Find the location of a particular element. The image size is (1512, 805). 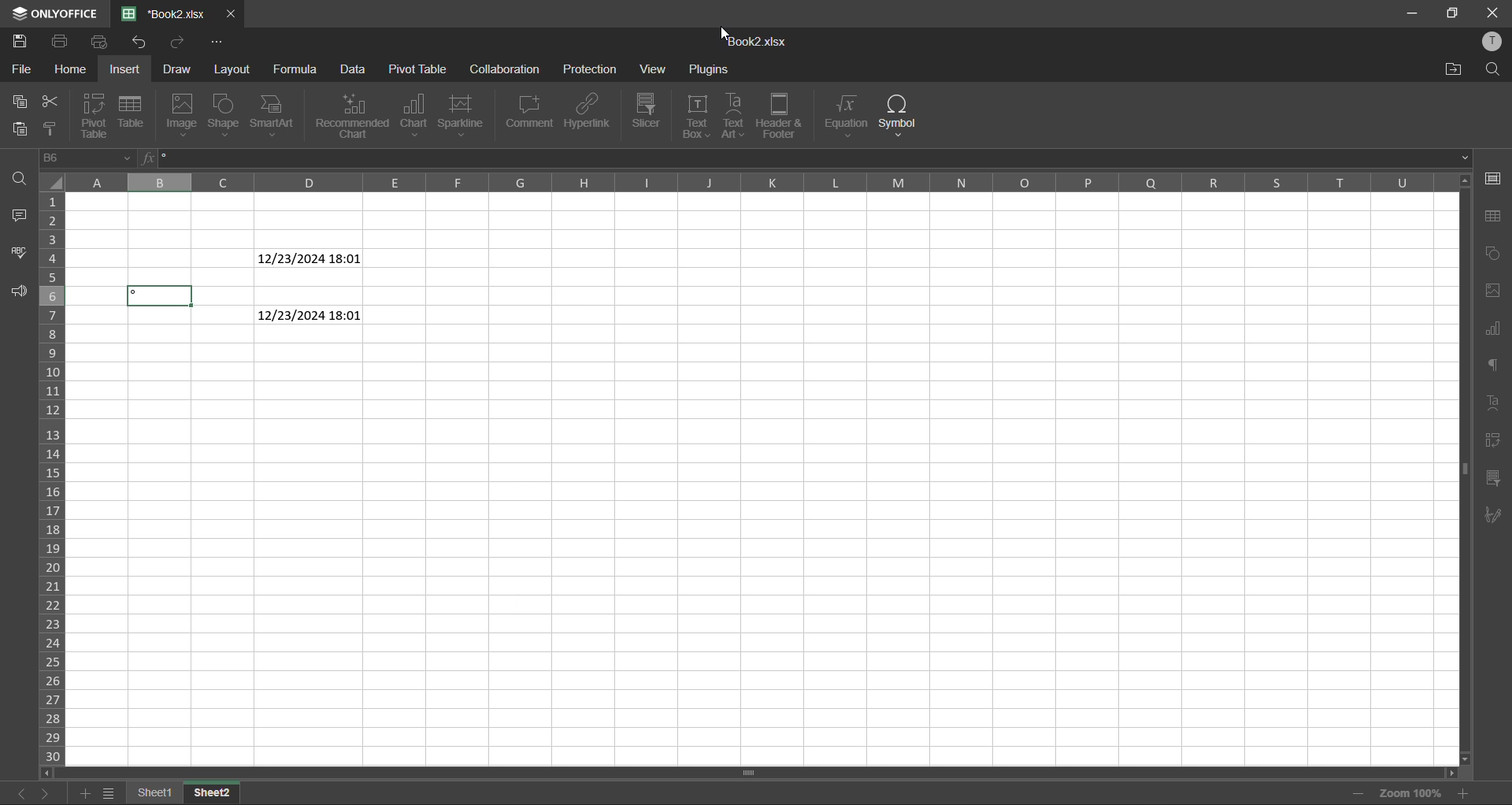

find is located at coordinates (20, 177).